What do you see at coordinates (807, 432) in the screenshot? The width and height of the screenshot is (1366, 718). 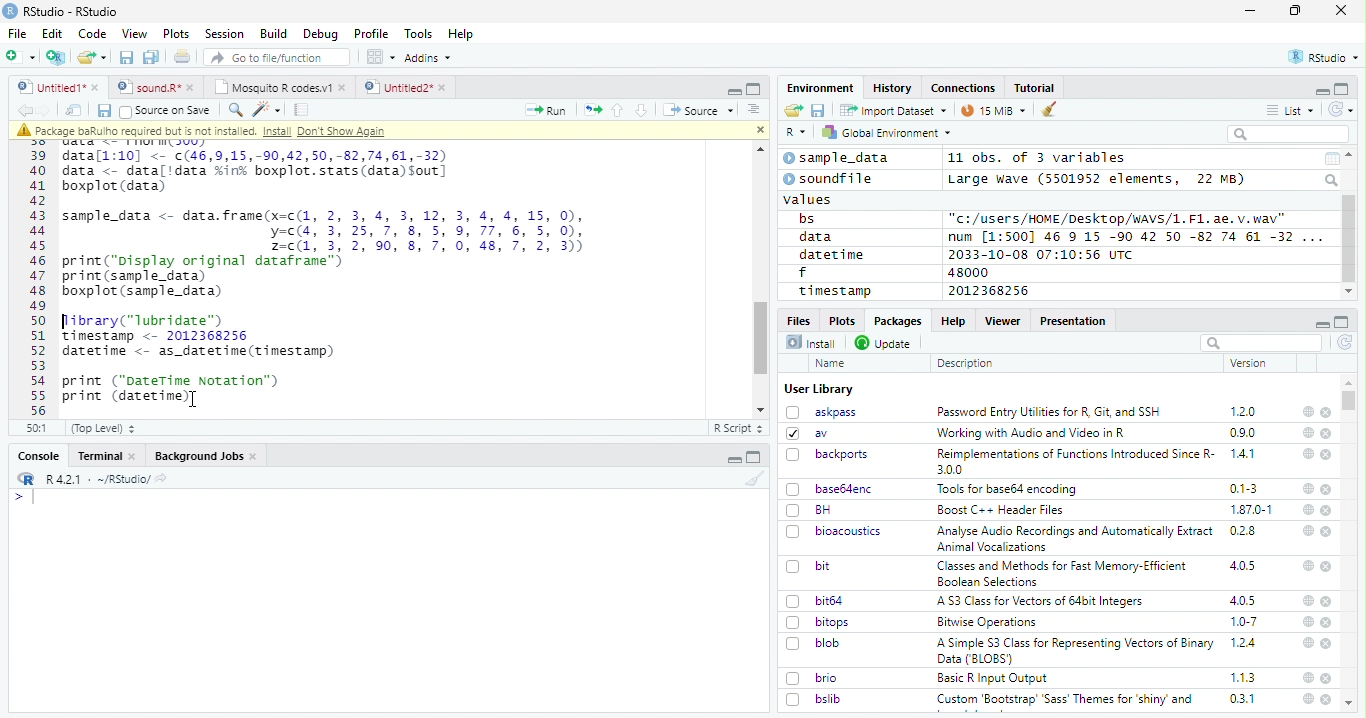 I see `av` at bounding box center [807, 432].